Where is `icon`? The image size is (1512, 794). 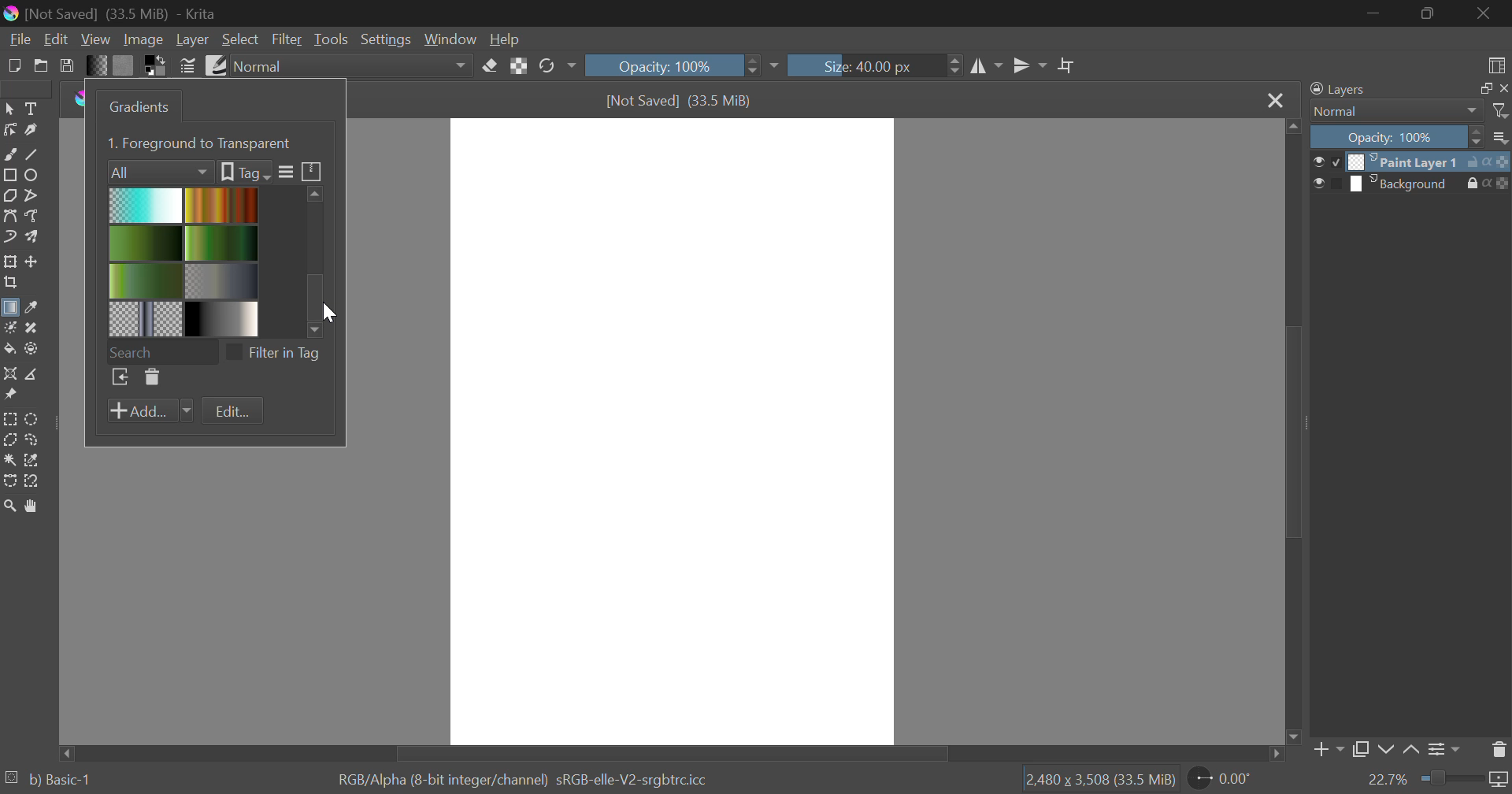
icon is located at coordinates (1503, 184).